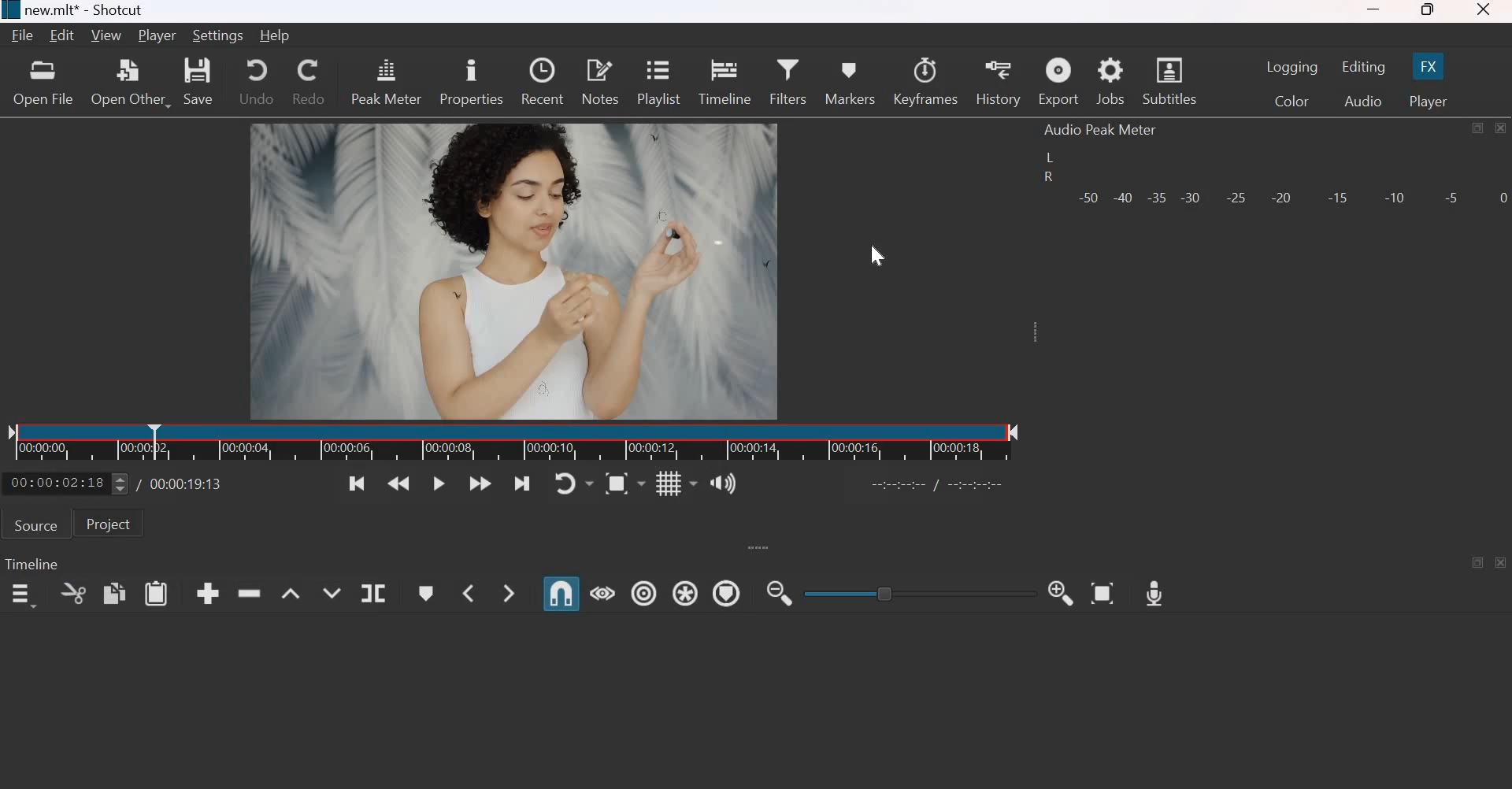 Image resolution: width=1512 pixels, height=789 pixels. I want to click on maximize, so click(1478, 563).